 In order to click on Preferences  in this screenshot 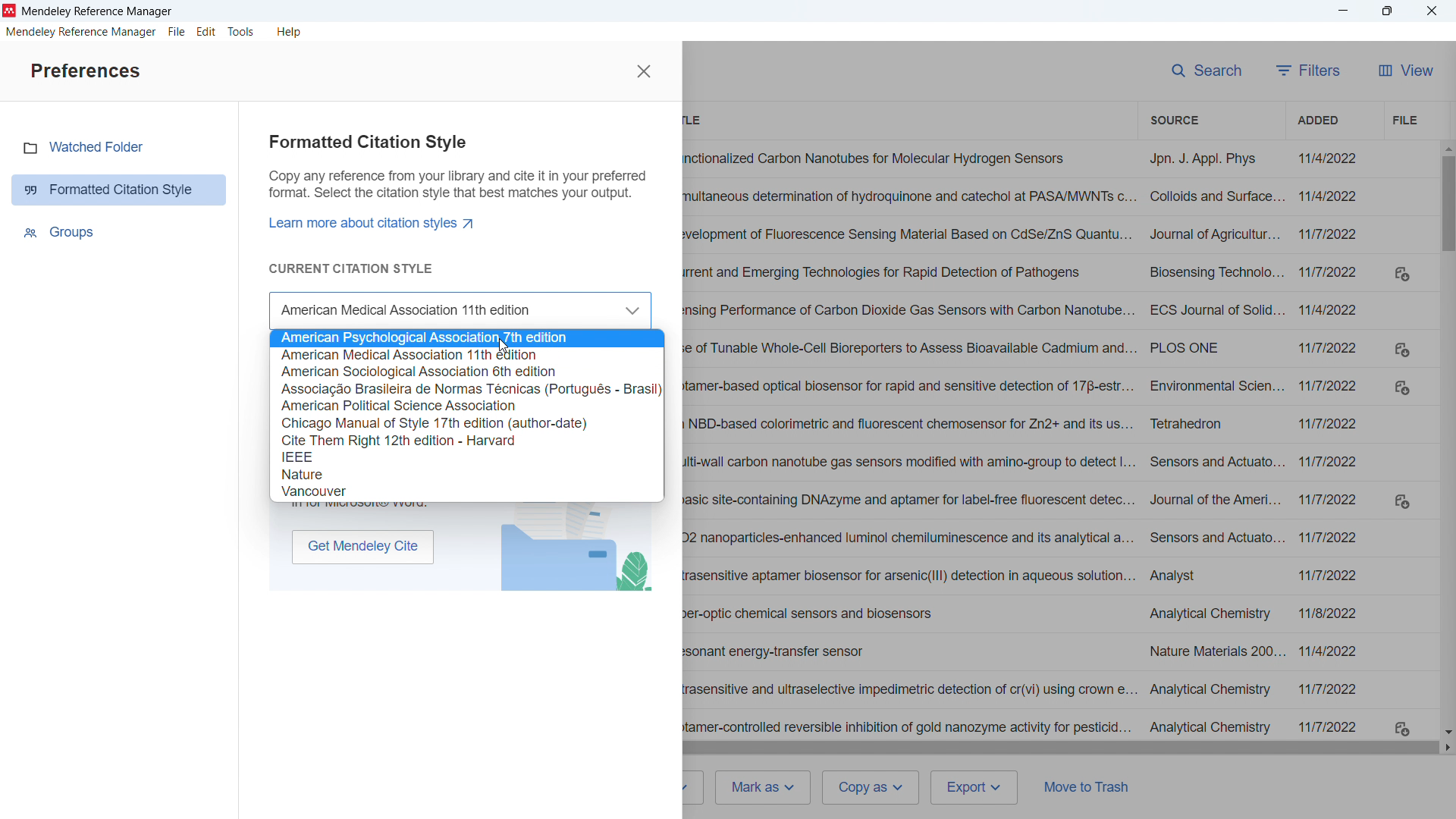, I will do `click(85, 72)`.